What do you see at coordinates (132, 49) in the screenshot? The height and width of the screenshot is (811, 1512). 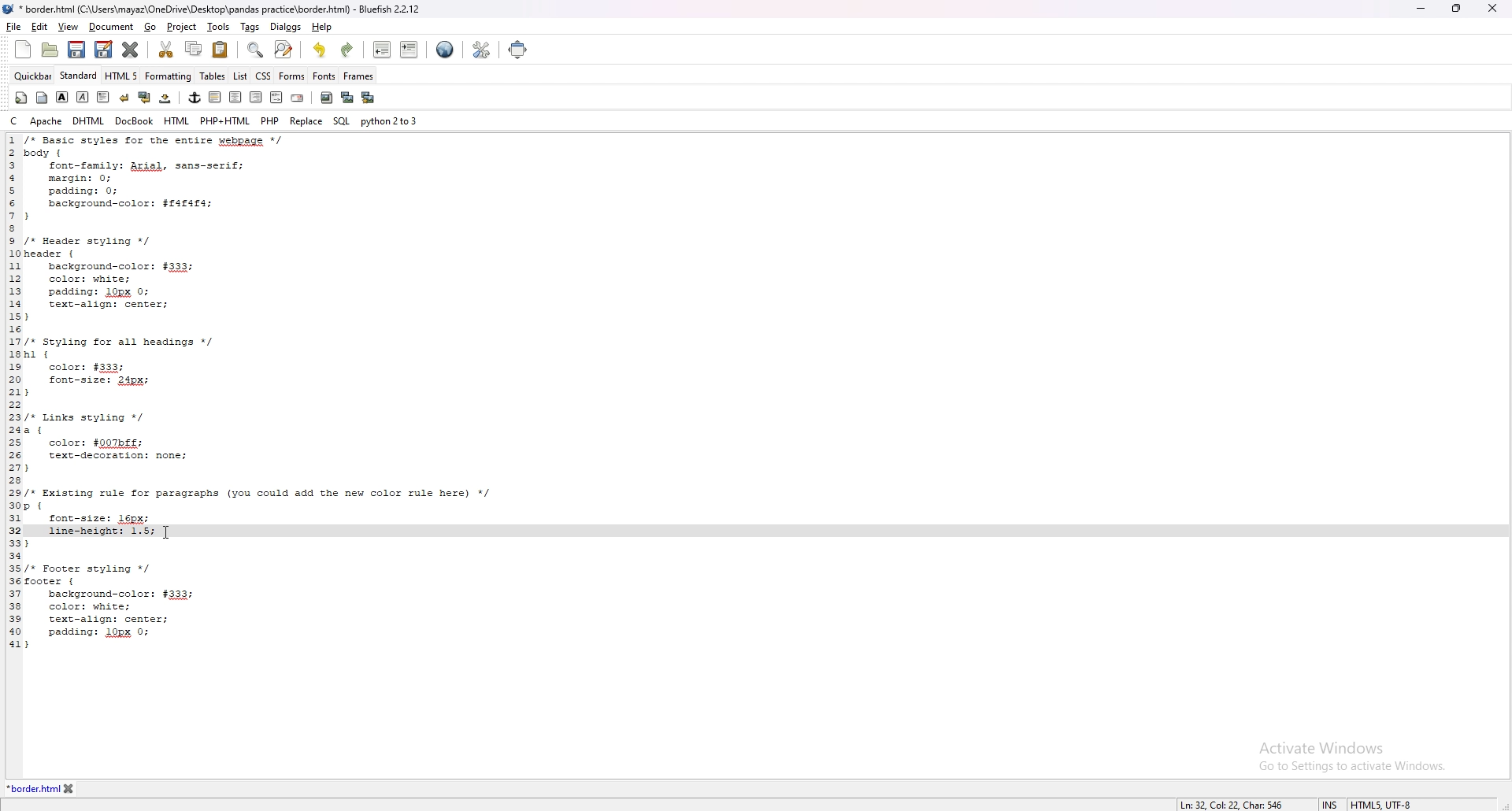 I see `close current tab` at bounding box center [132, 49].